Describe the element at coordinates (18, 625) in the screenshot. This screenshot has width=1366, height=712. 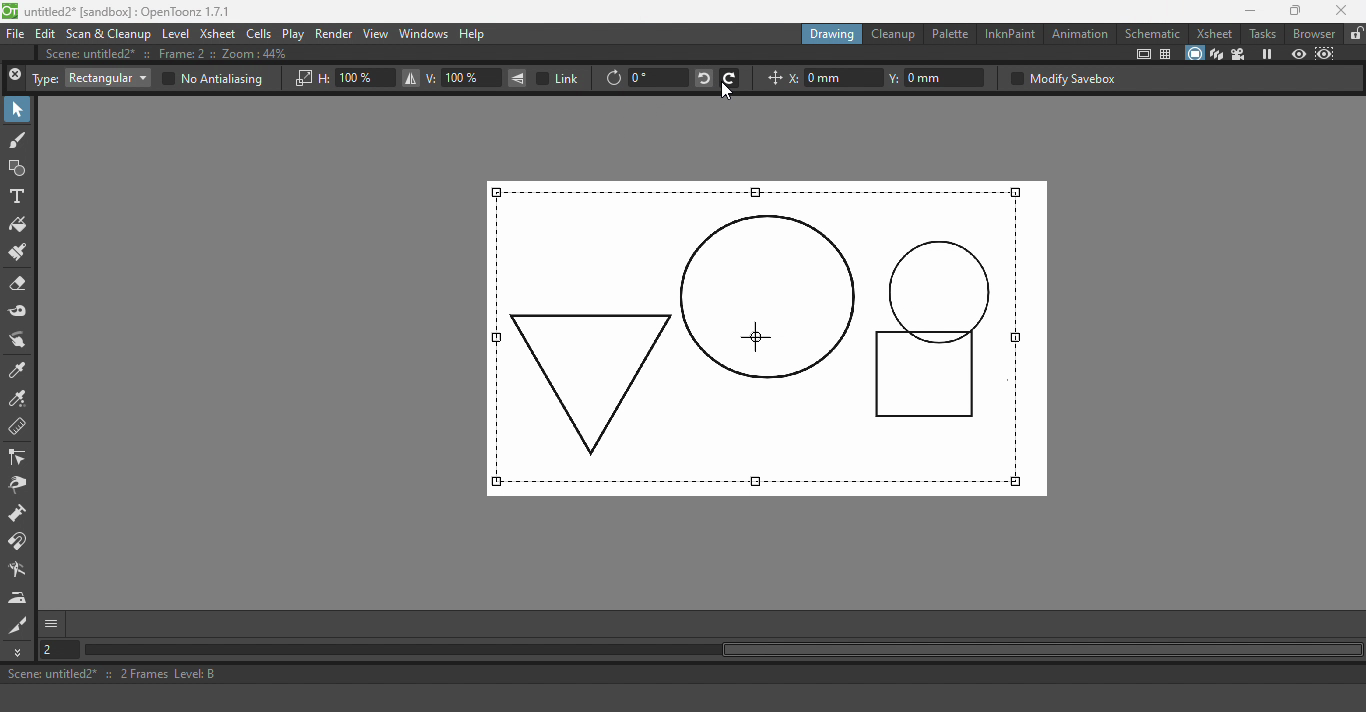
I see `Cutter tool` at that location.